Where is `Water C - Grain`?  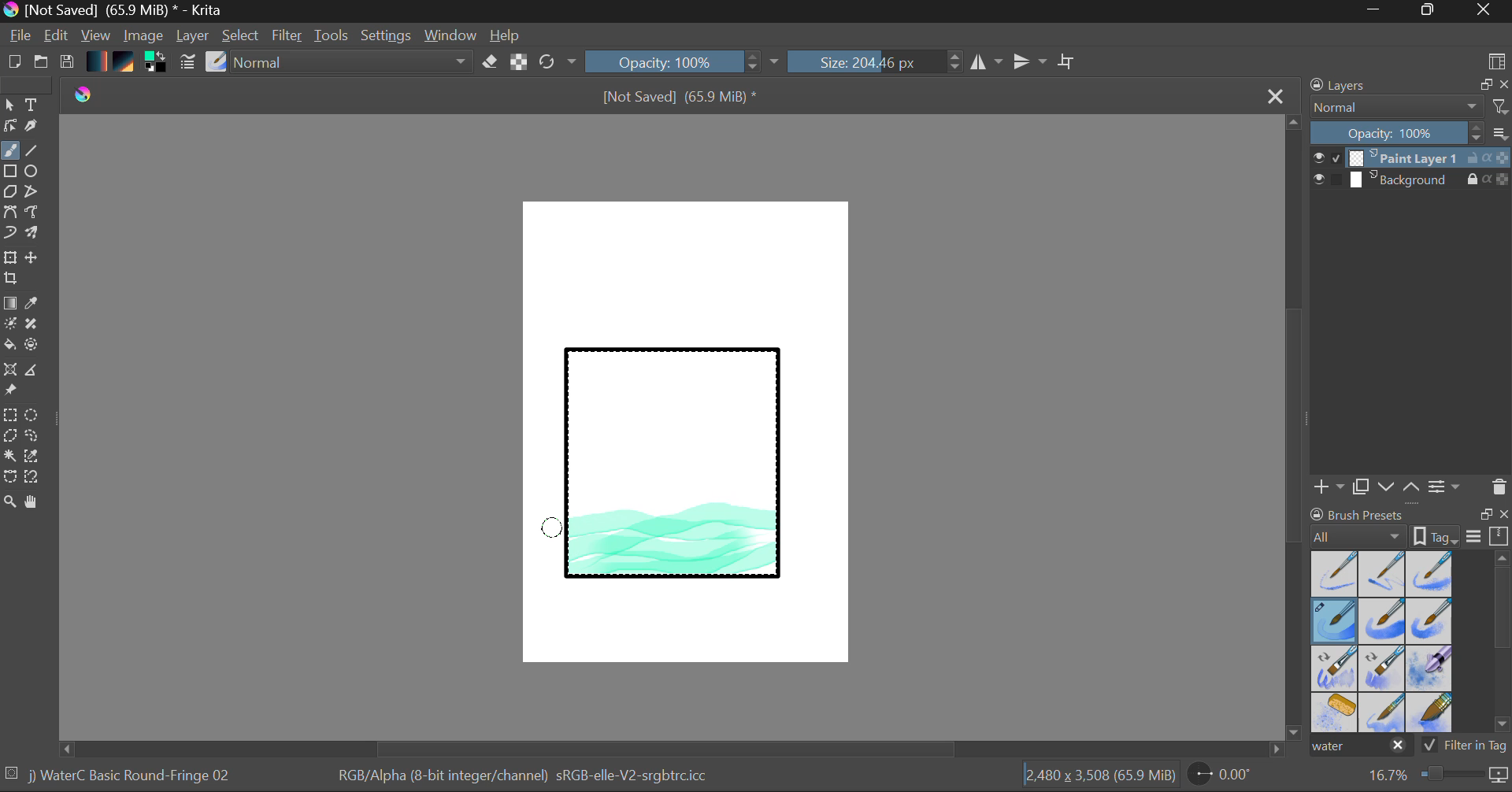
Water C - Grain is located at coordinates (1383, 622).